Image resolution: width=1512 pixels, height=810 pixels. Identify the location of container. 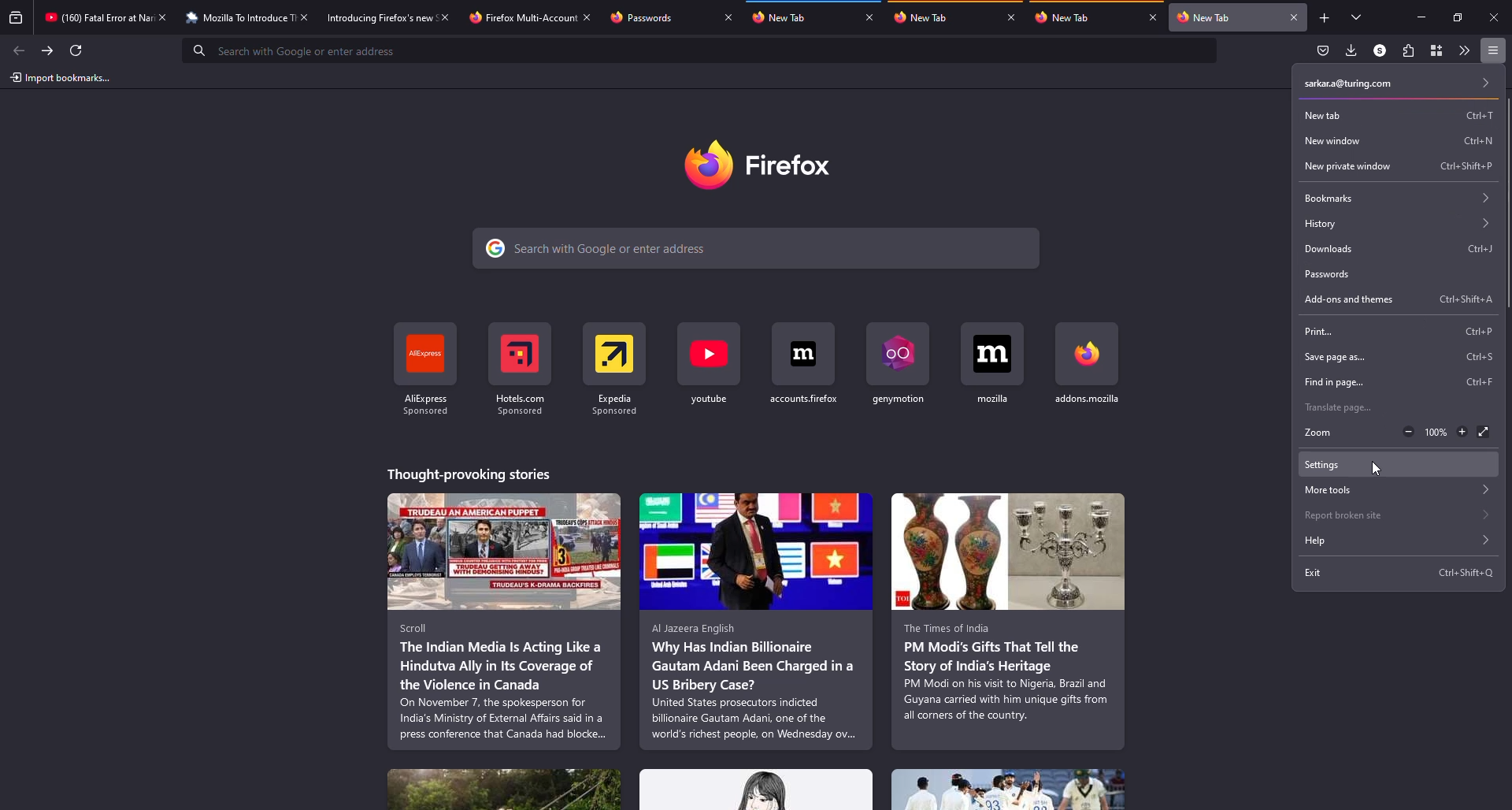
(1436, 50).